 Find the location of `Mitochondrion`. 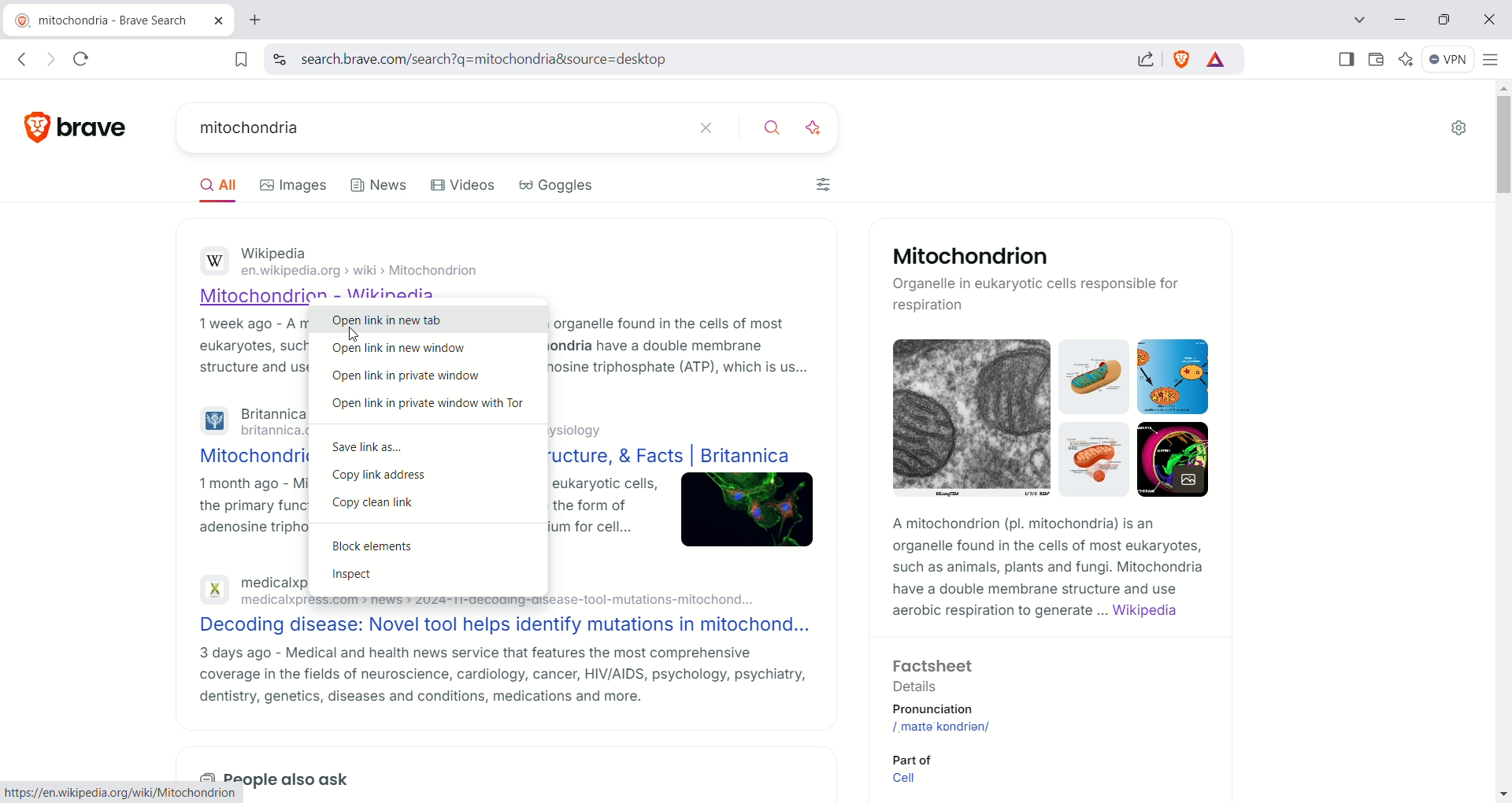

Mitochondrion is located at coordinates (978, 253).